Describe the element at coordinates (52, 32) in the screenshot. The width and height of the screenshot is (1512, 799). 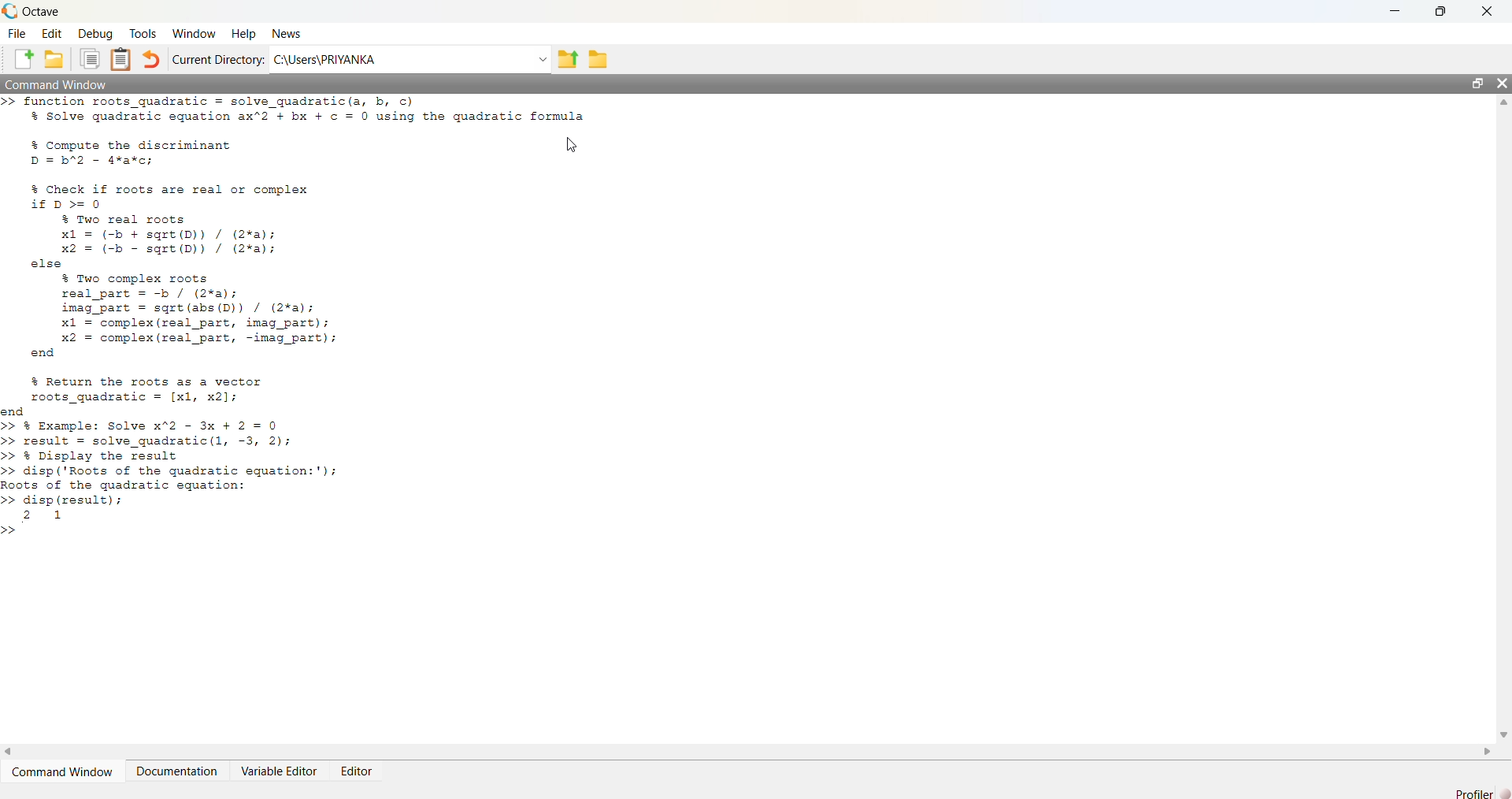
I see `Edit` at that location.